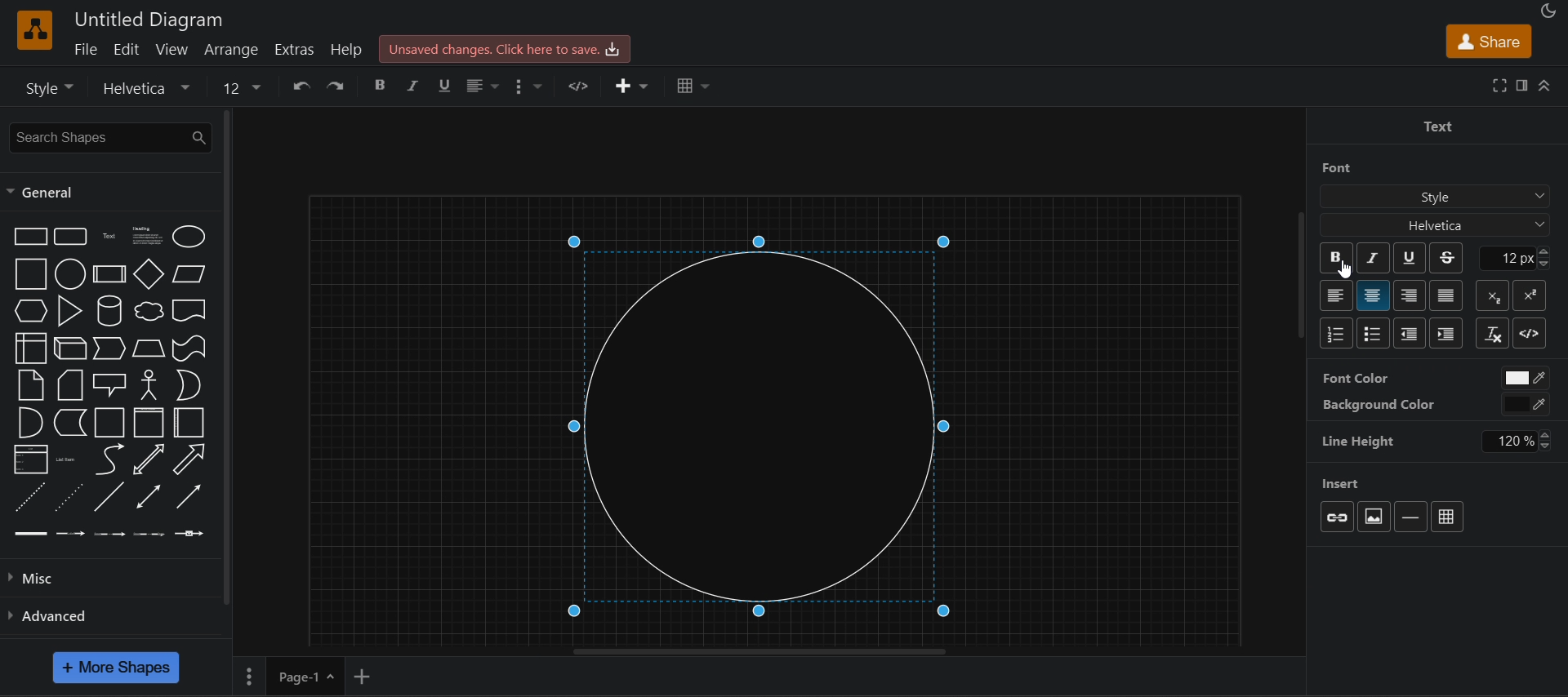 The image size is (1568, 697). Describe the element at coordinates (1374, 333) in the screenshot. I see `bultted list` at that location.